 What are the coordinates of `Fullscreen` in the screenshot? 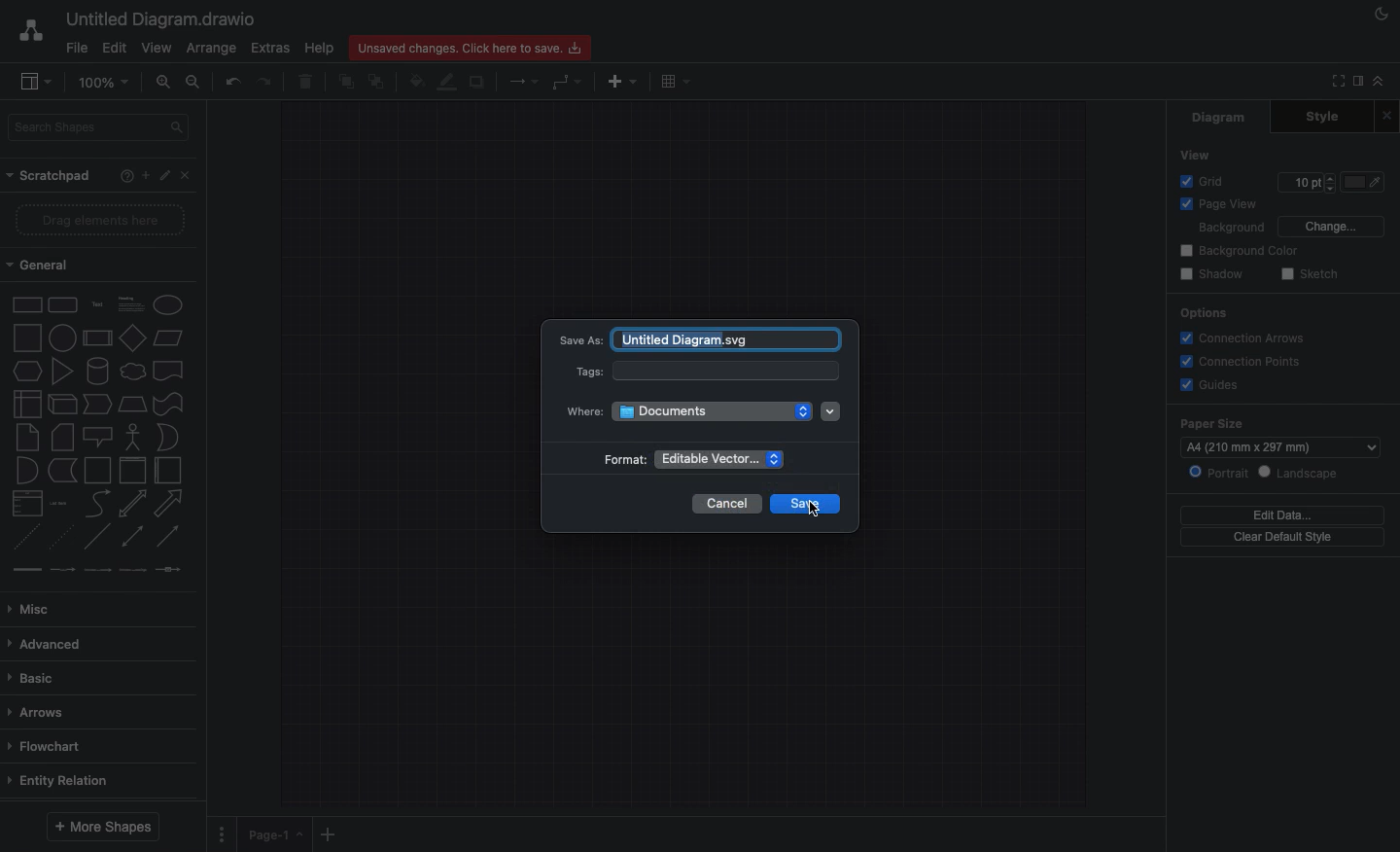 It's located at (1335, 83).